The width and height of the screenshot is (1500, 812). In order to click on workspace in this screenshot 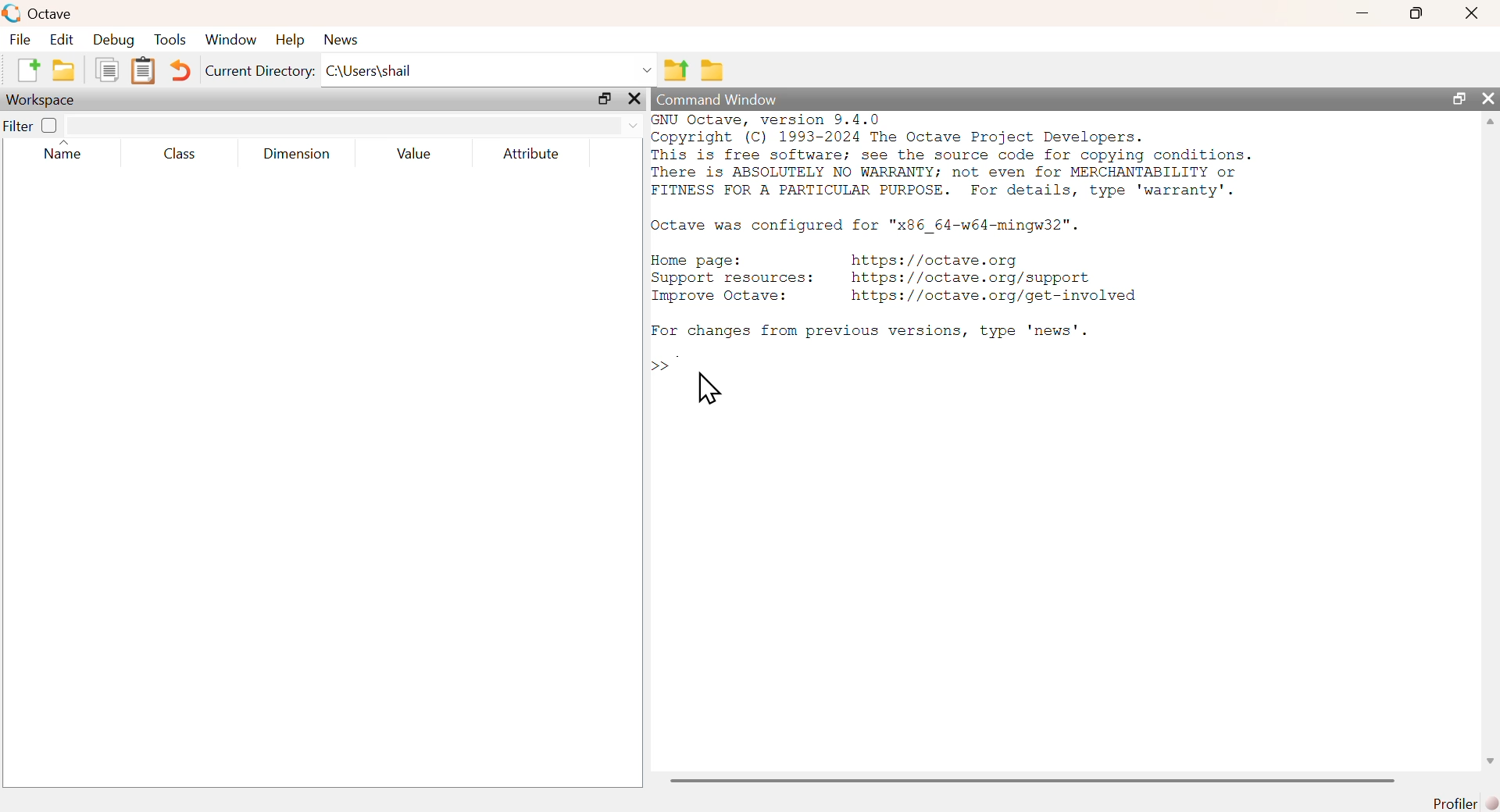, I will do `click(48, 100)`.